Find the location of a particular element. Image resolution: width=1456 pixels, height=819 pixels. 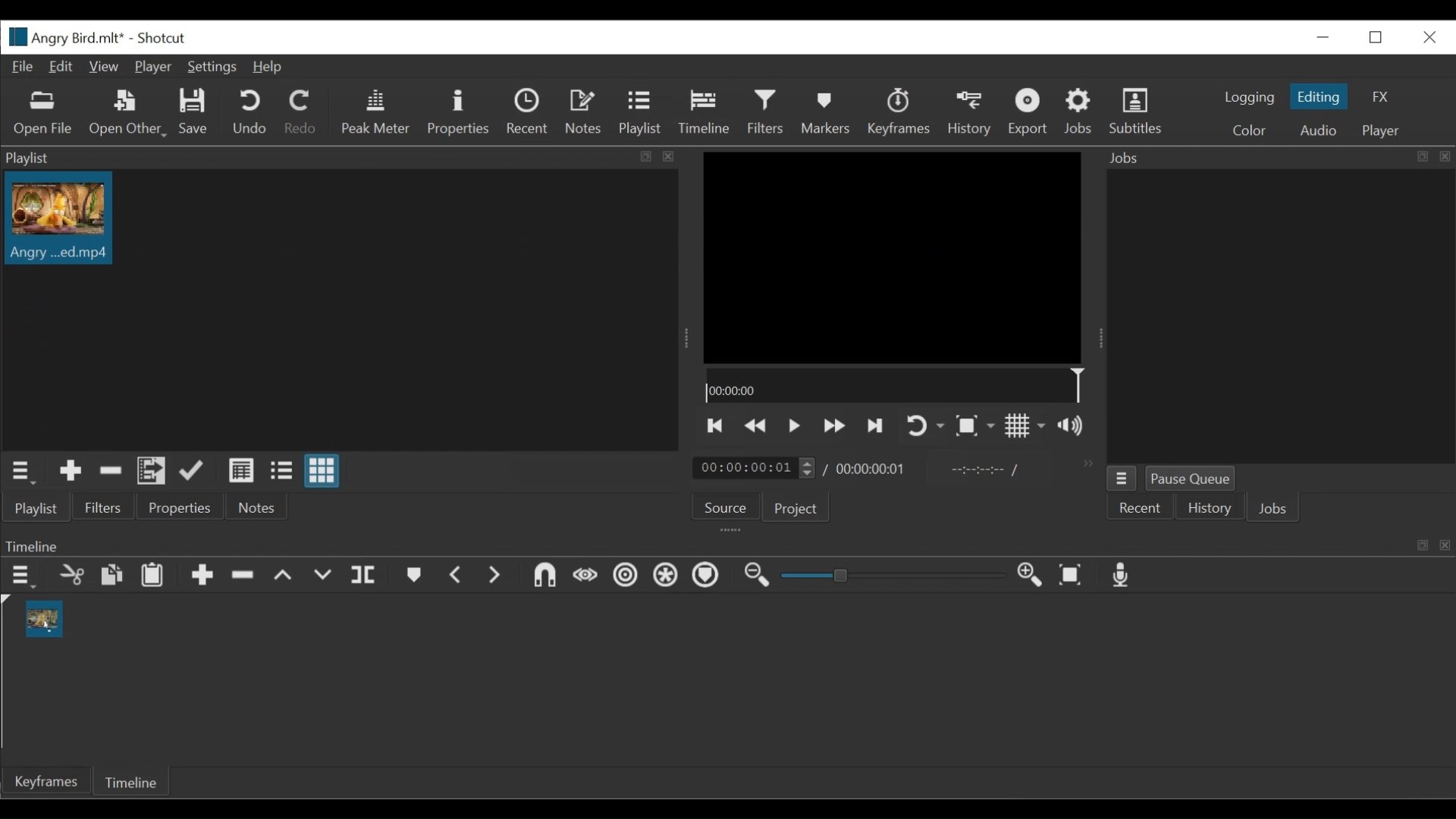

Restore is located at coordinates (1378, 36).